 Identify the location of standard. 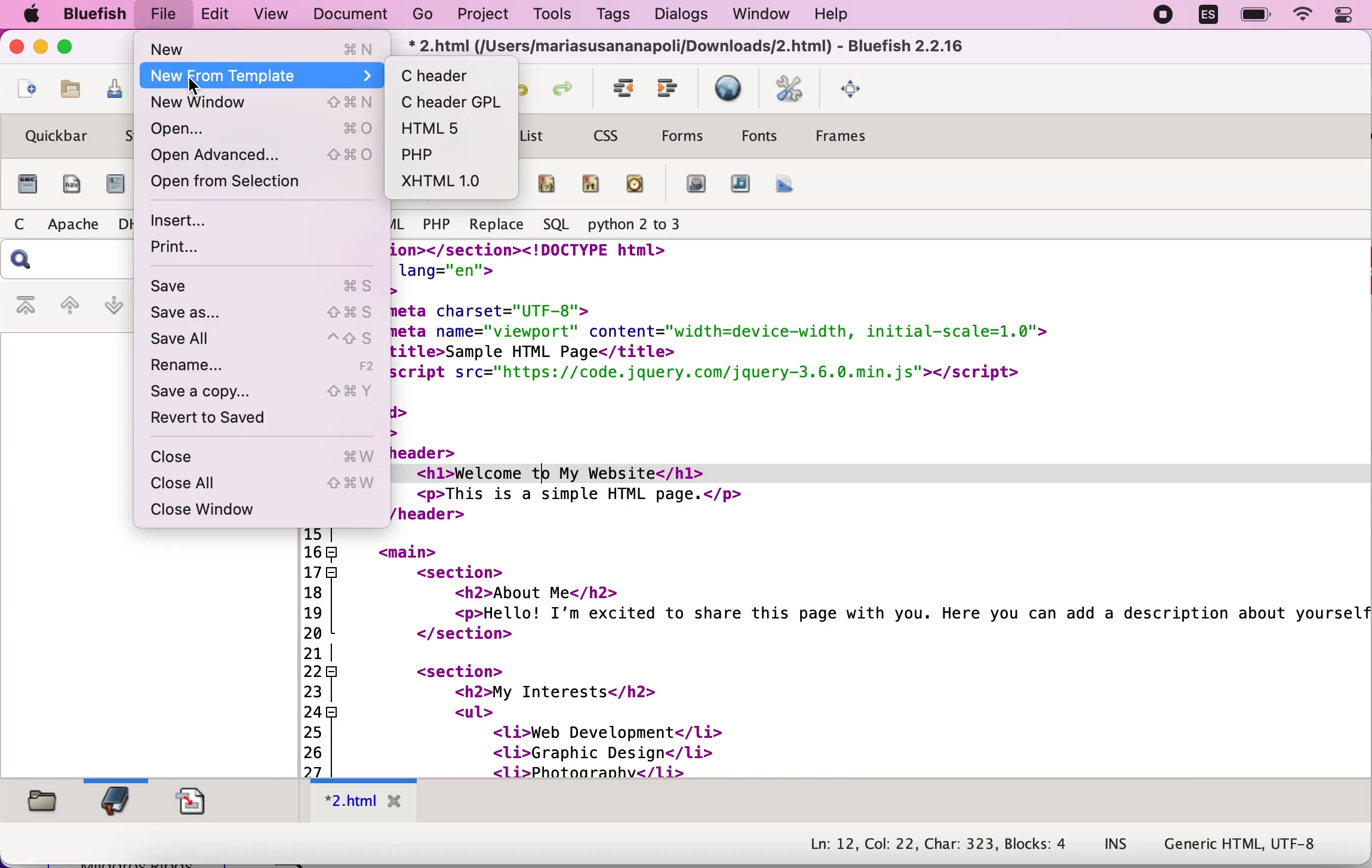
(124, 134).